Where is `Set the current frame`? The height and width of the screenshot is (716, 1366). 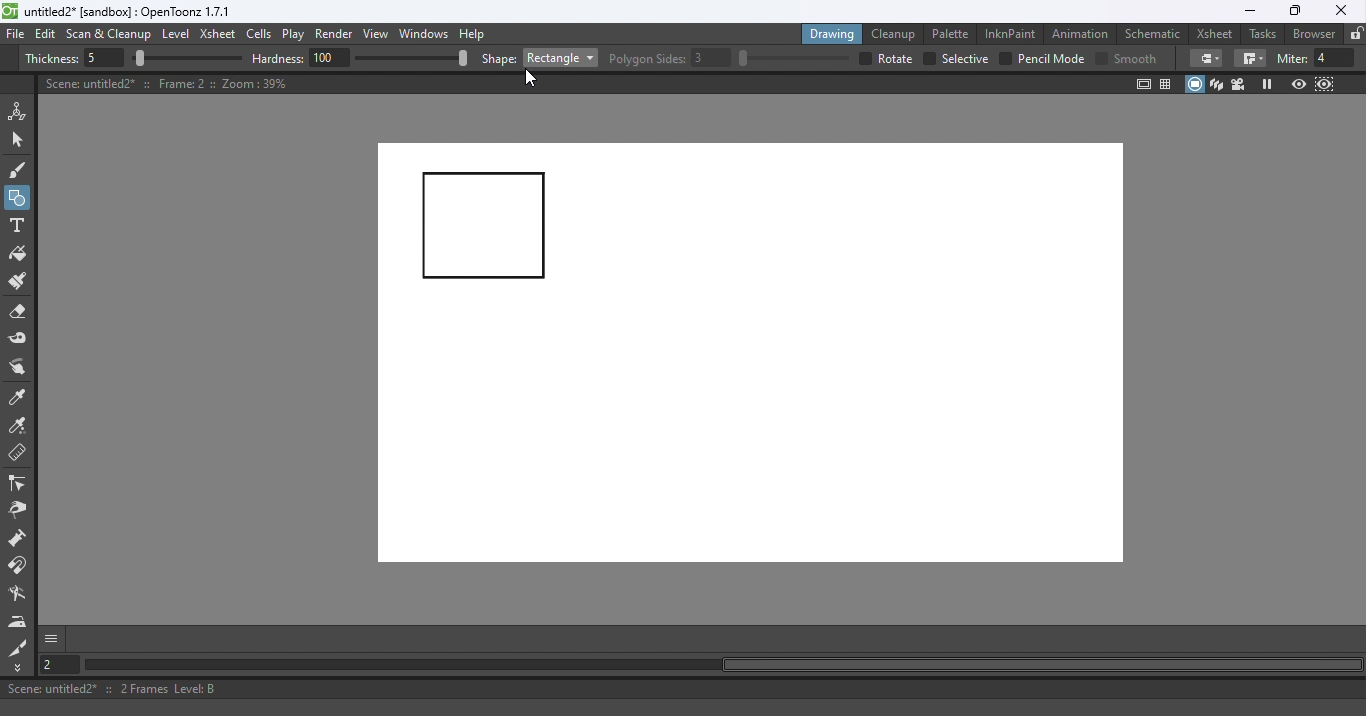 Set the current frame is located at coordinates (57, 664).